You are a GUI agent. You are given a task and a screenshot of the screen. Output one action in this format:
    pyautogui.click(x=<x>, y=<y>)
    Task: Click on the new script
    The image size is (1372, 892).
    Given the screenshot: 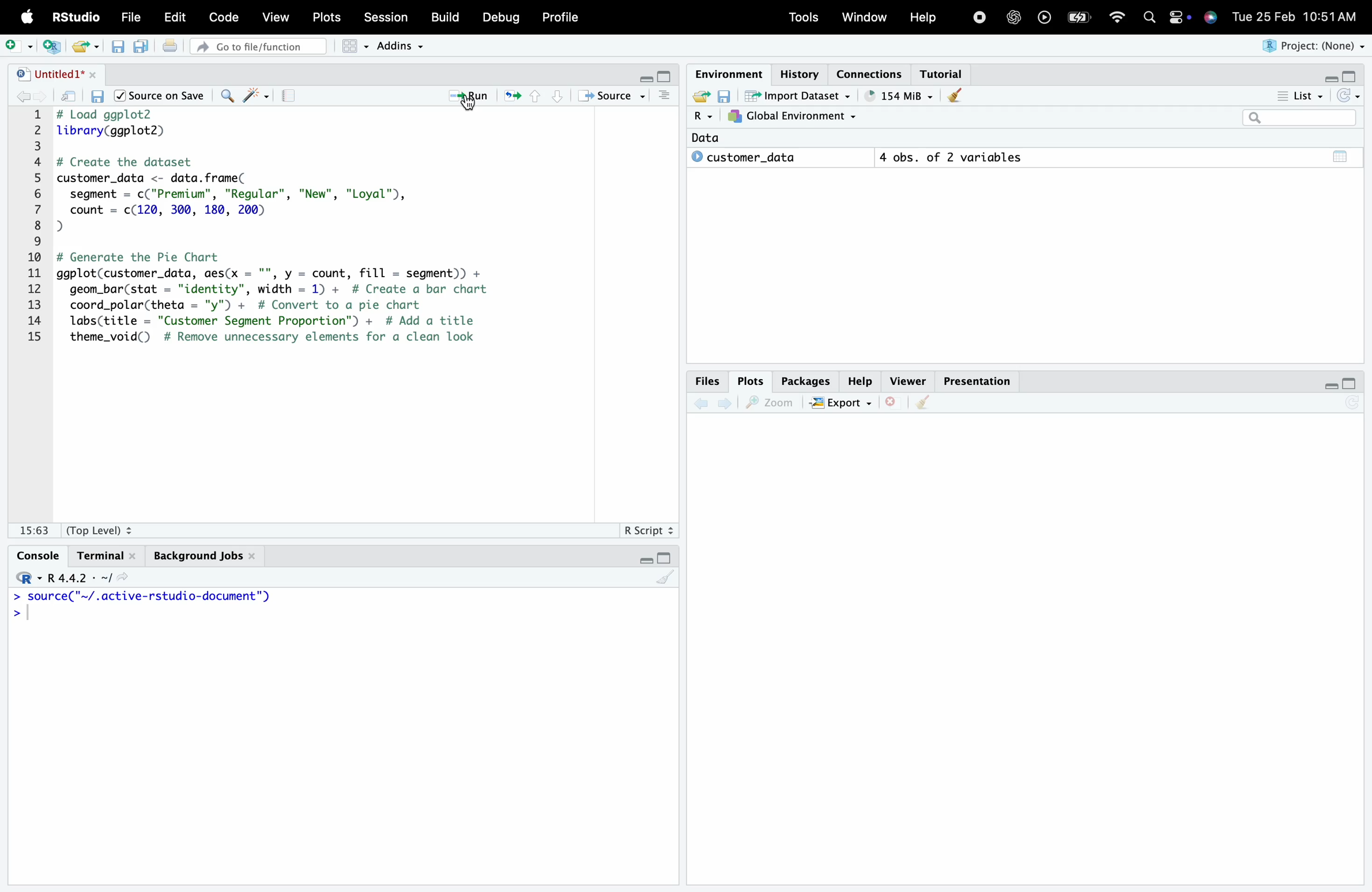 What is the action you would take?
    pyautogui.click(x=54, y=47)
    